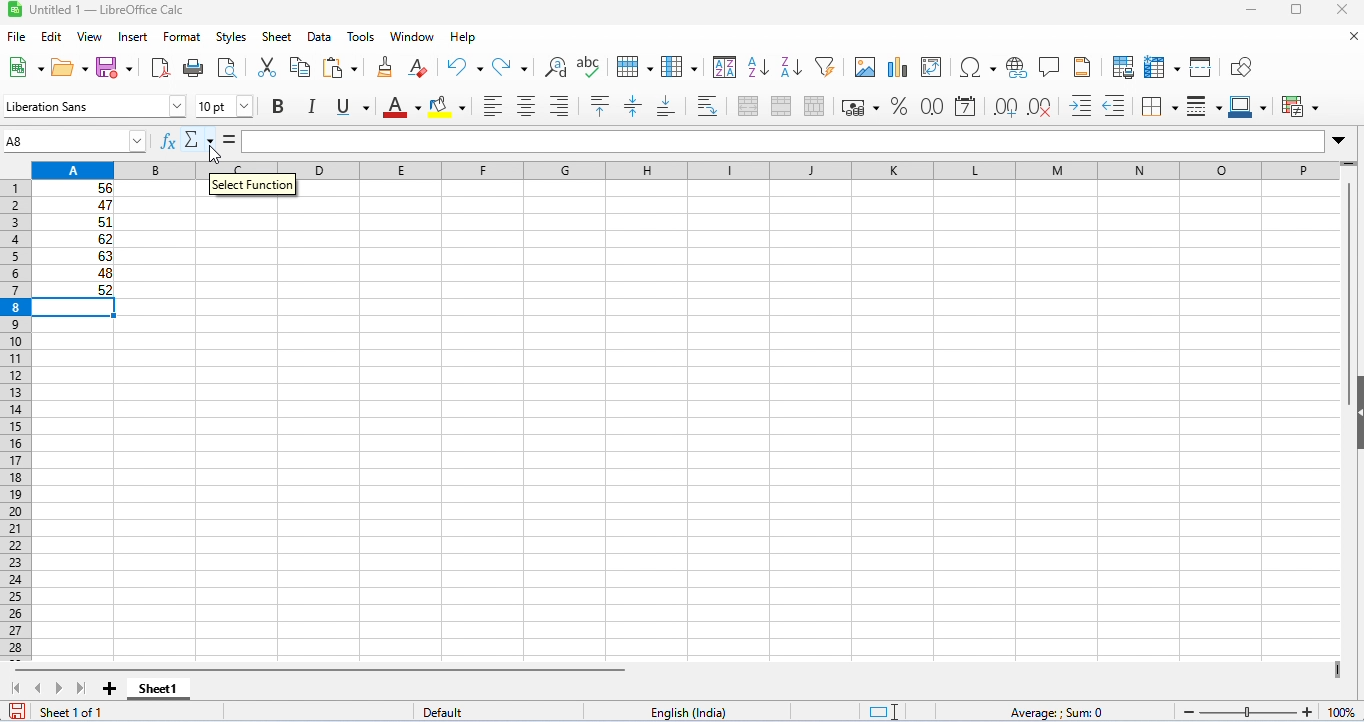  Describe the element at coordinates (1081, 104) in the screenshot. I see `increase indent` at that location.